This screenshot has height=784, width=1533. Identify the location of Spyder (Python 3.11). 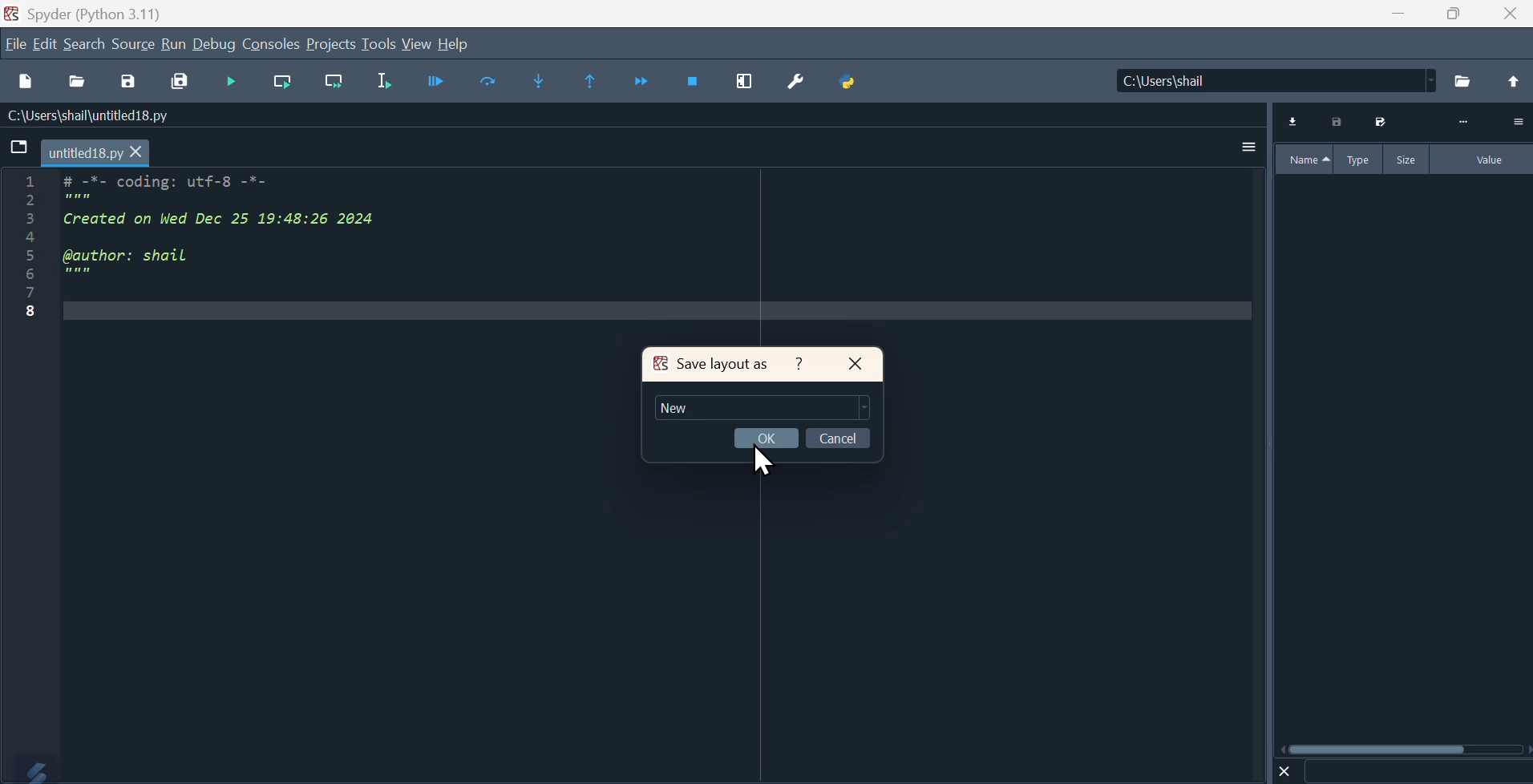
(83, 12).